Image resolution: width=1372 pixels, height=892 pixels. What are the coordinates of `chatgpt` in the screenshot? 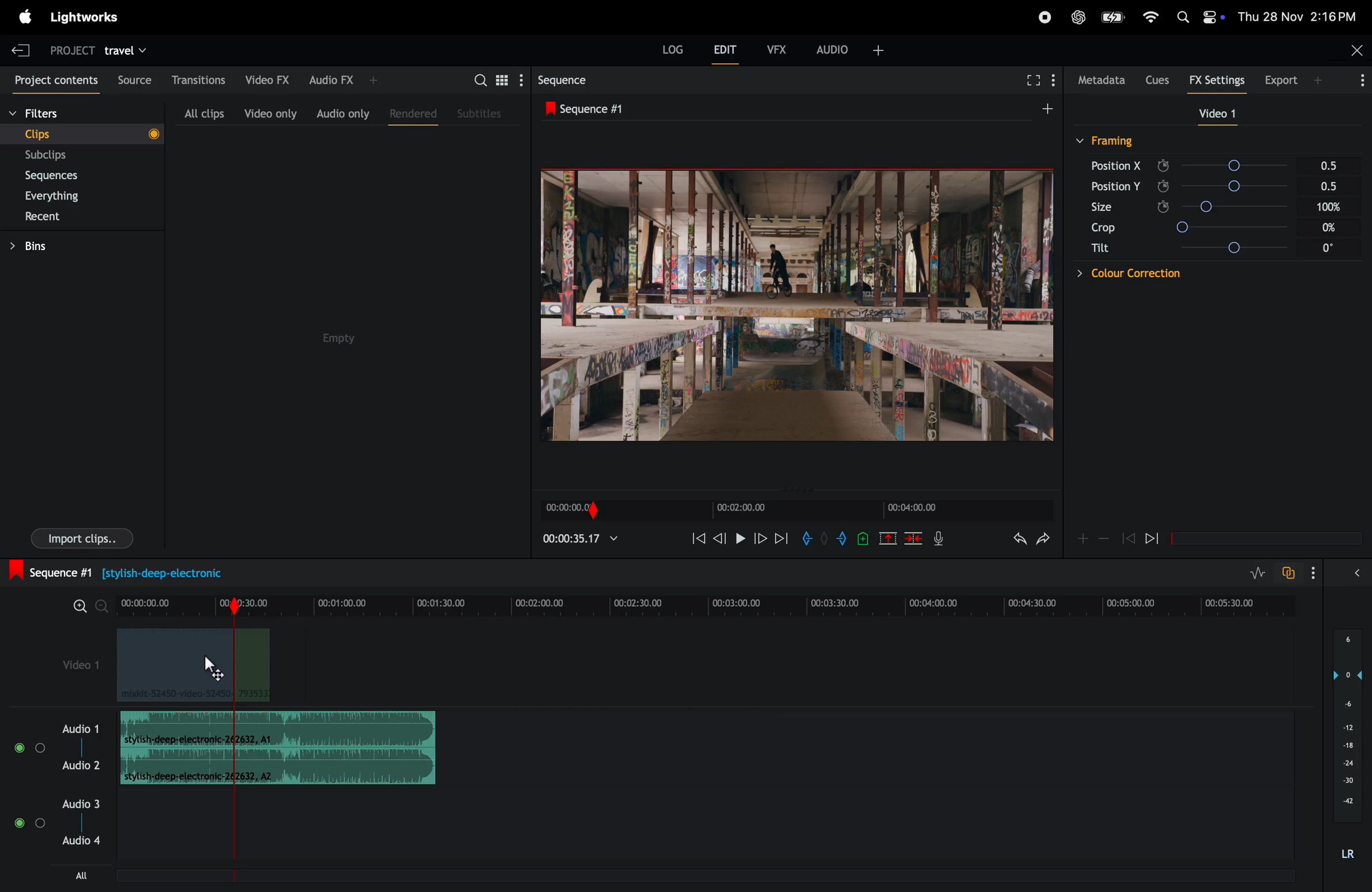 It's located at (1080, 16).